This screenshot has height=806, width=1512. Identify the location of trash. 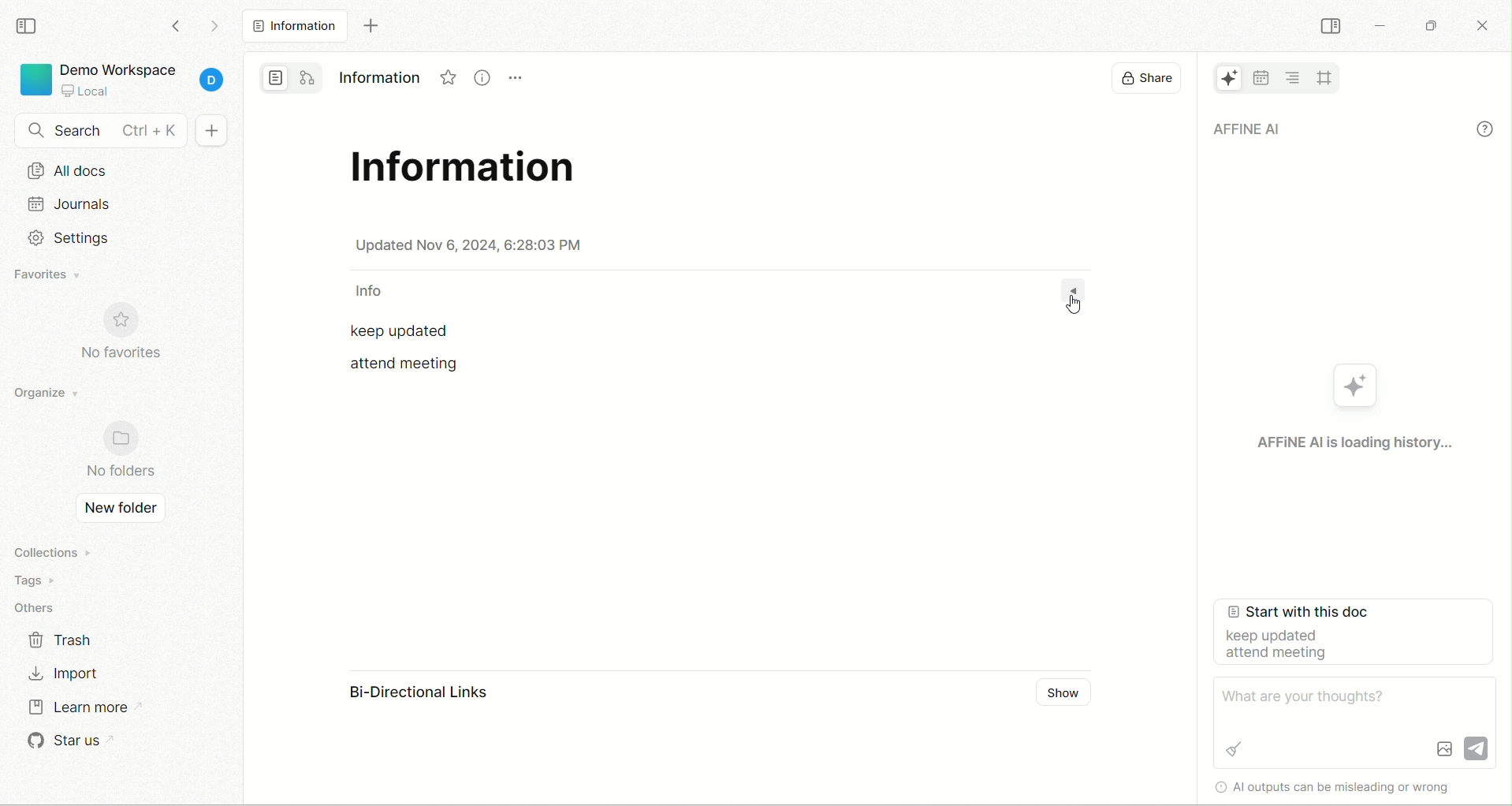
(67, 640).